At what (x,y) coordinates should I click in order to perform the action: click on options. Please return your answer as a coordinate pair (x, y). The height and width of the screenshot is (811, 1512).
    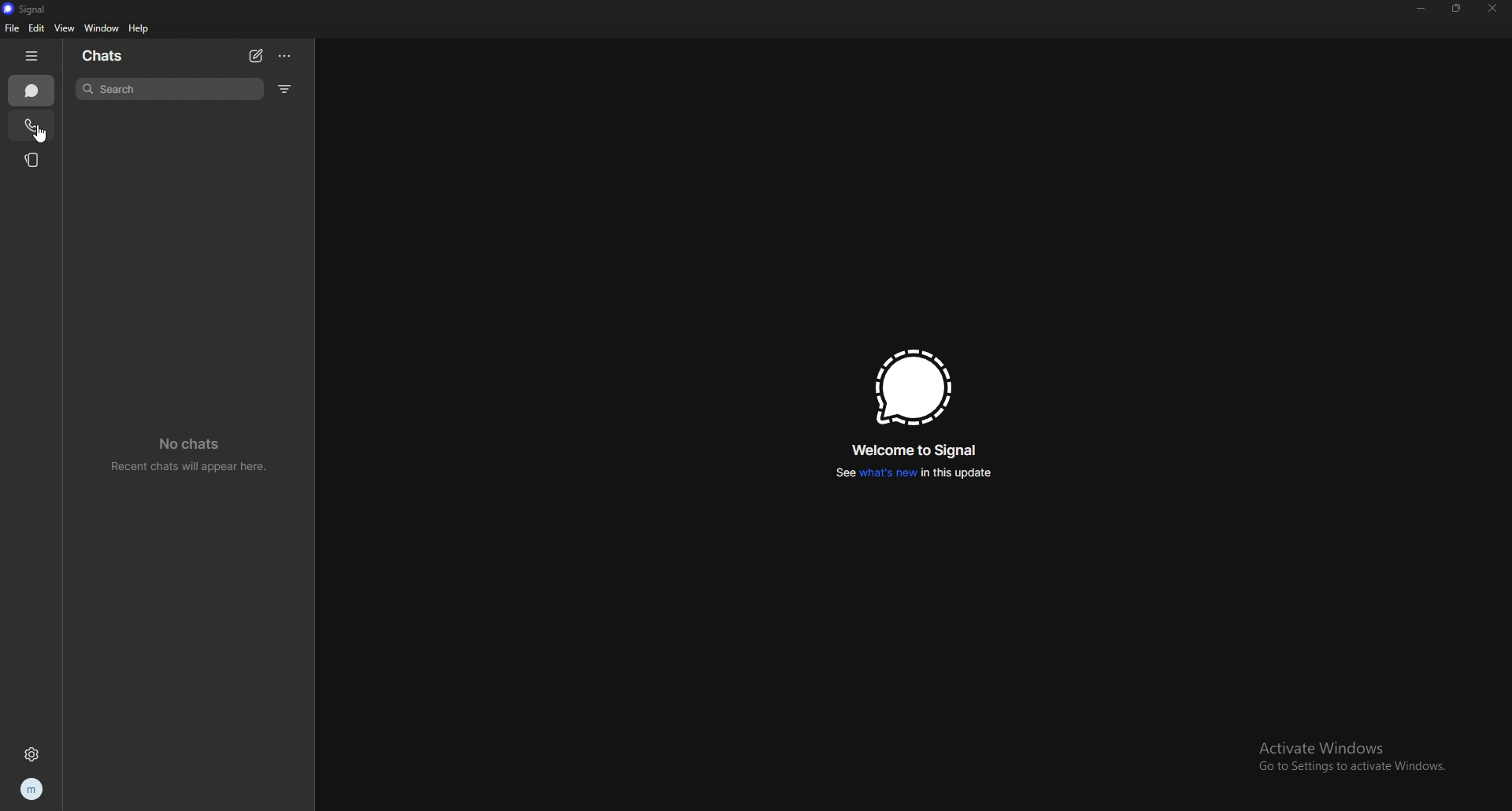
    Looking at the image, I should click on (283, 56).